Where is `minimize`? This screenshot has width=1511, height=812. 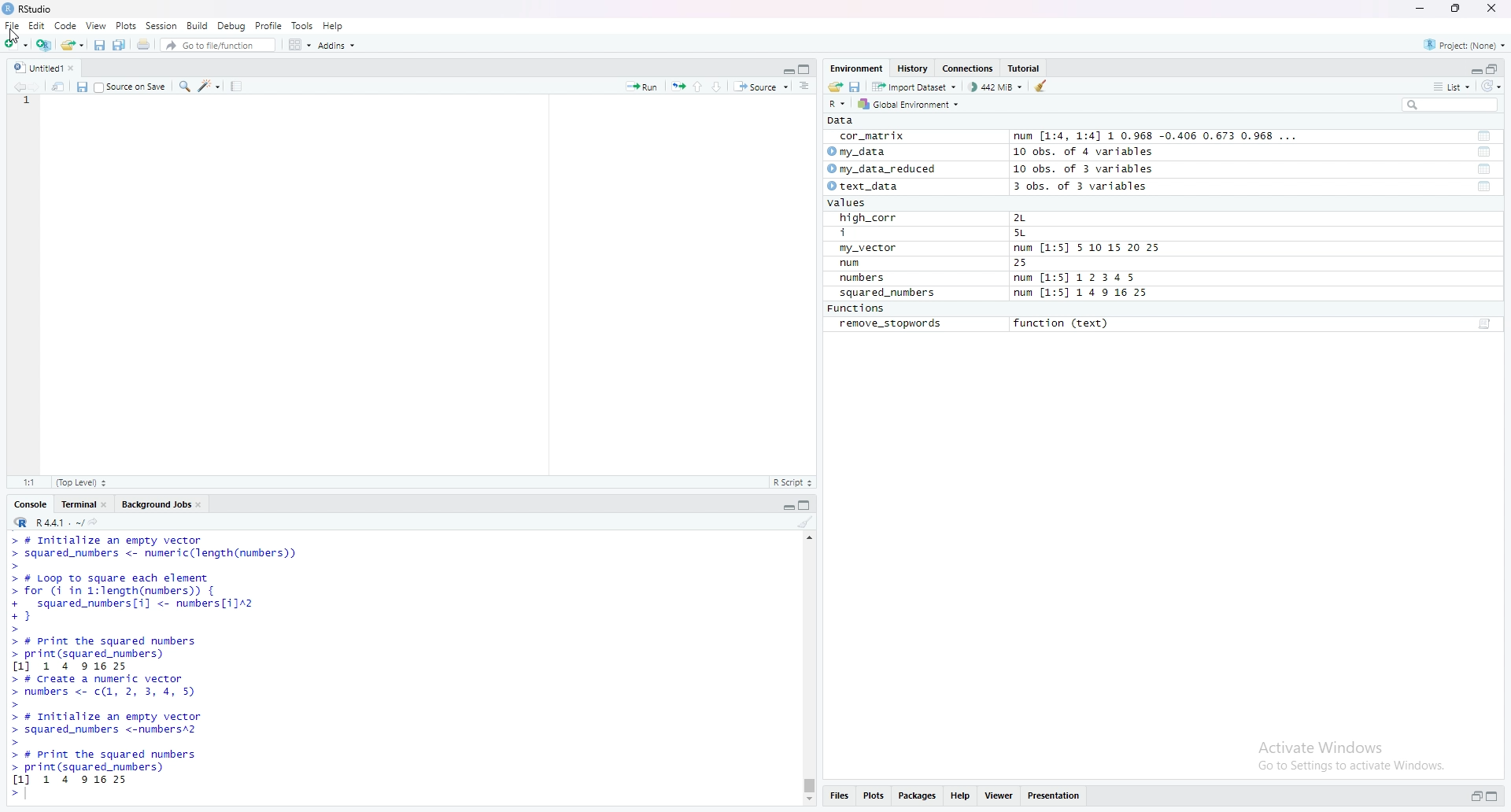 minimize is located at coordinates (785, 70).